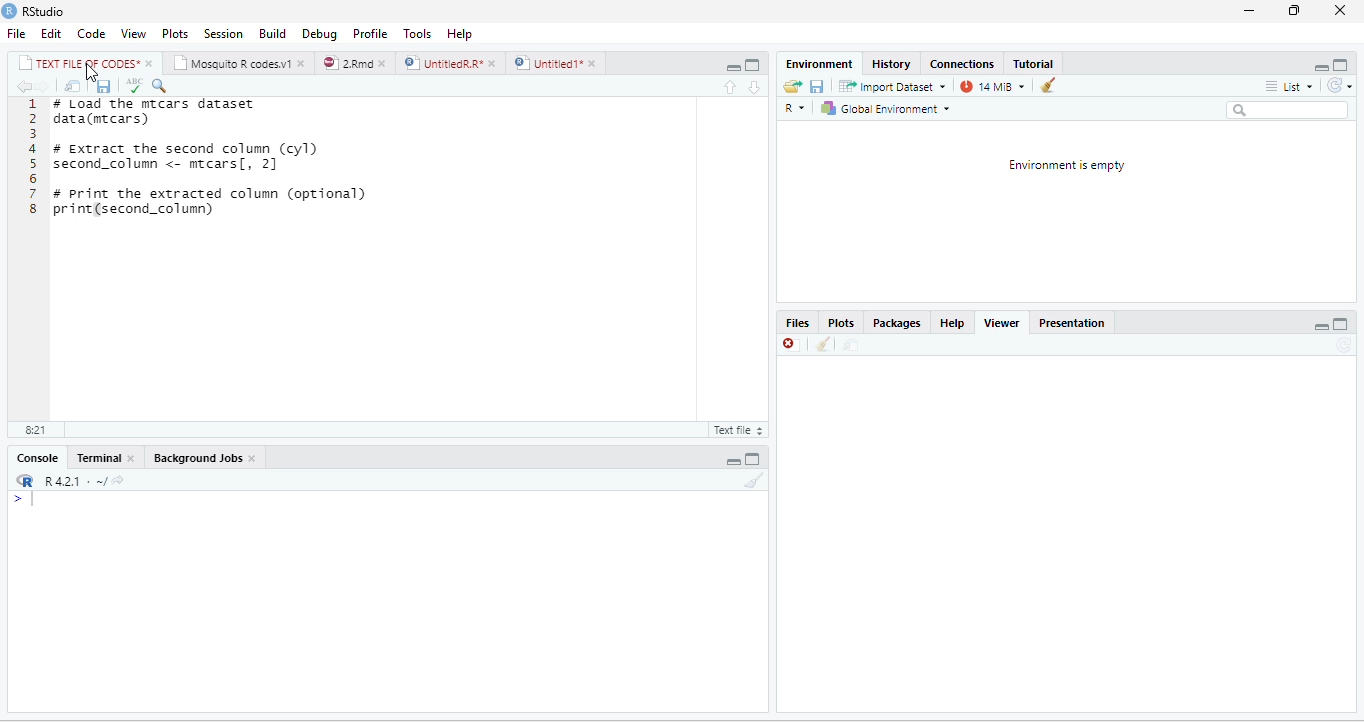 The height and width of the screenshot is (722, 1364). I want to click on environment is empty, so click(1070, 210).